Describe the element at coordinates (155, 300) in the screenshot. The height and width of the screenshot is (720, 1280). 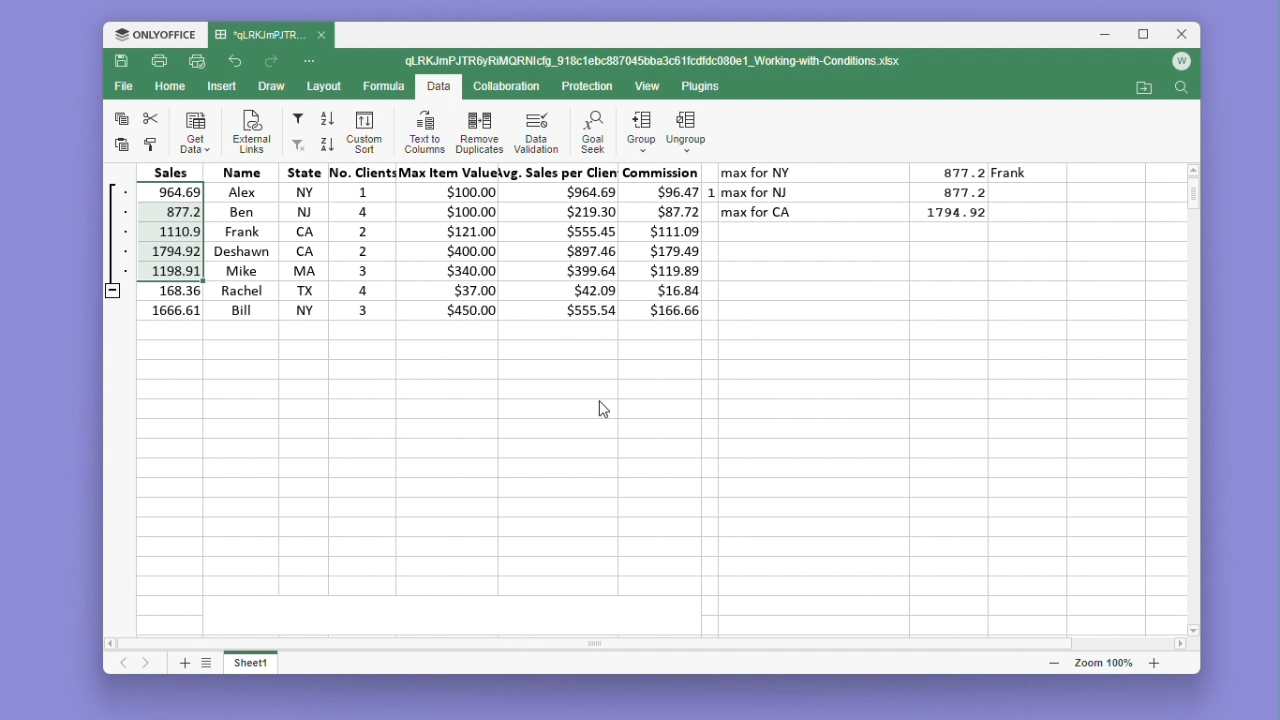
I see `remaining cells from the column` at that location.